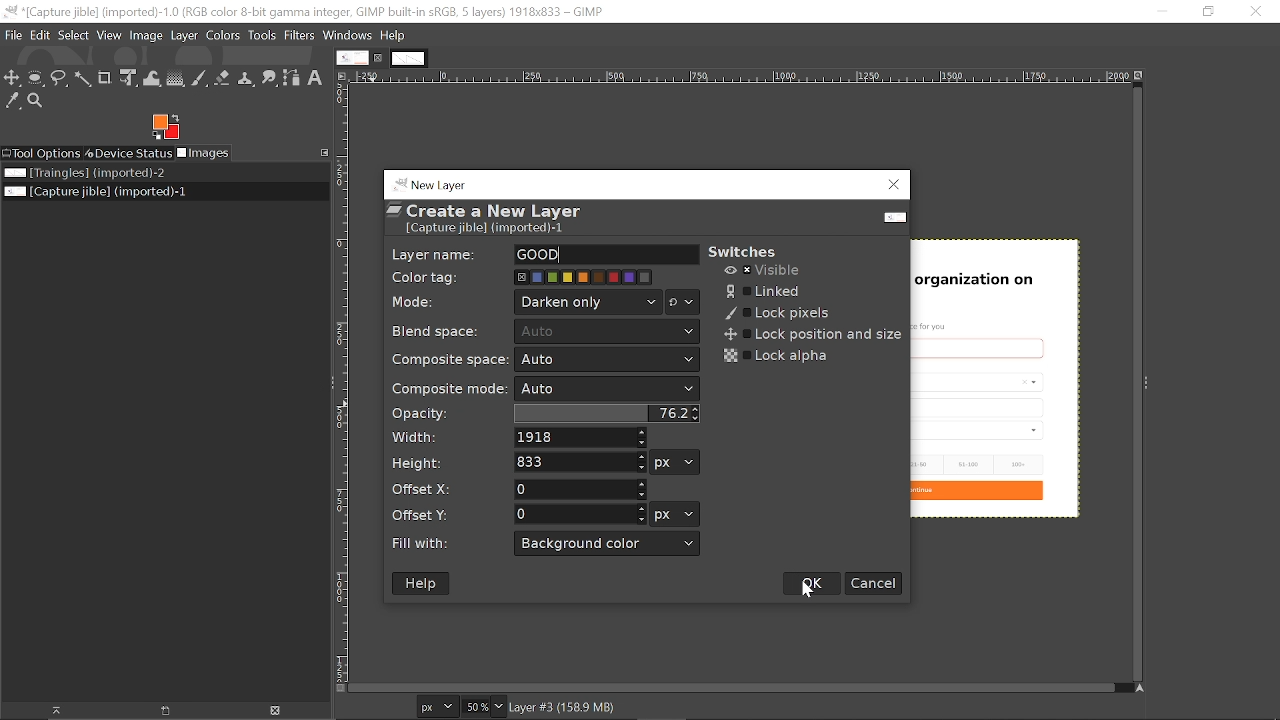 This screenshot has width=1280, height=720. Describe the element at coordinates (874, 582) in the screenshot. I see `Cancel` at that location.